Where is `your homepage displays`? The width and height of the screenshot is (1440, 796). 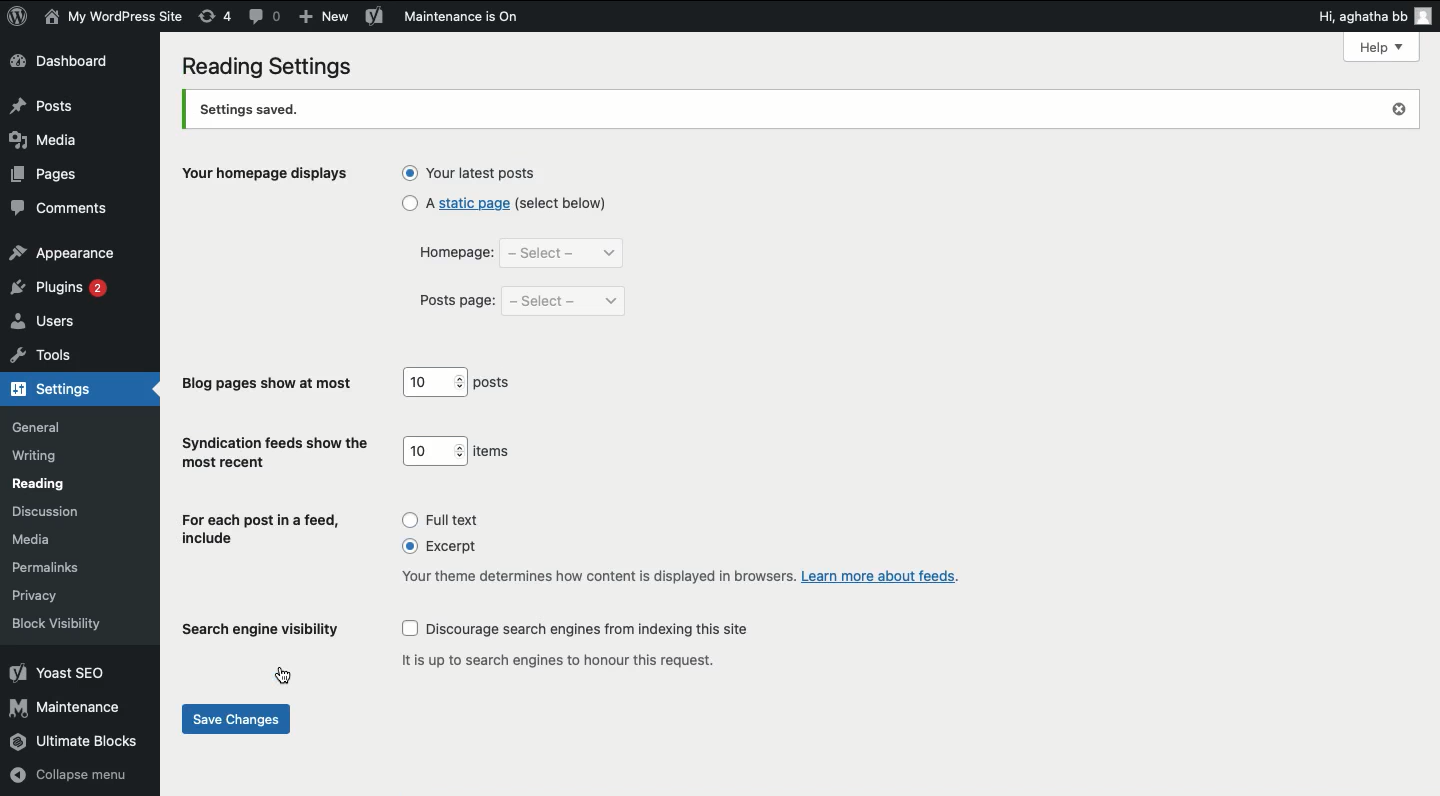
your homepage displays is located at coordinates (268, 176).